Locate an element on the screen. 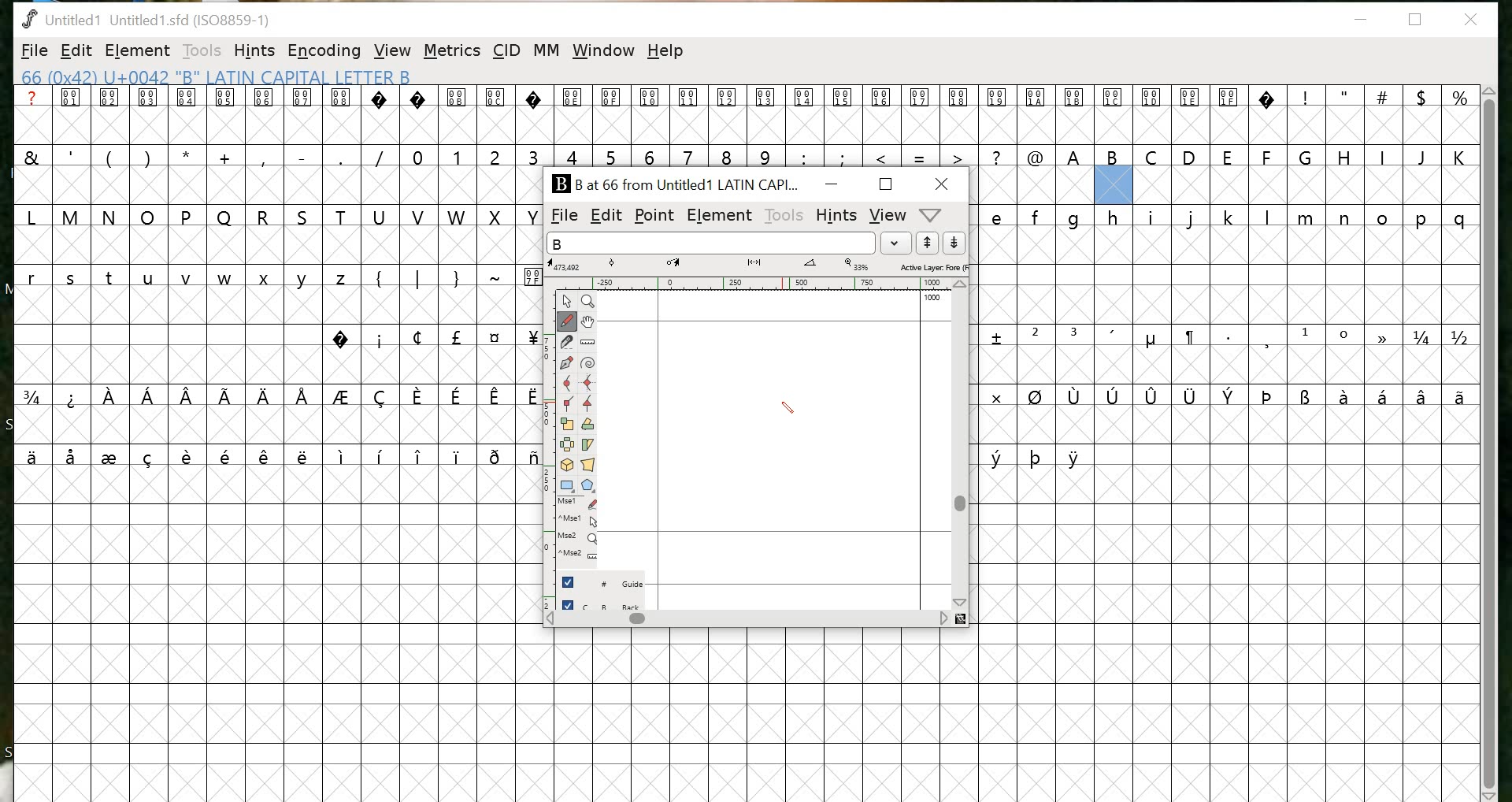  Maximize is located at coordinates (884, 184).